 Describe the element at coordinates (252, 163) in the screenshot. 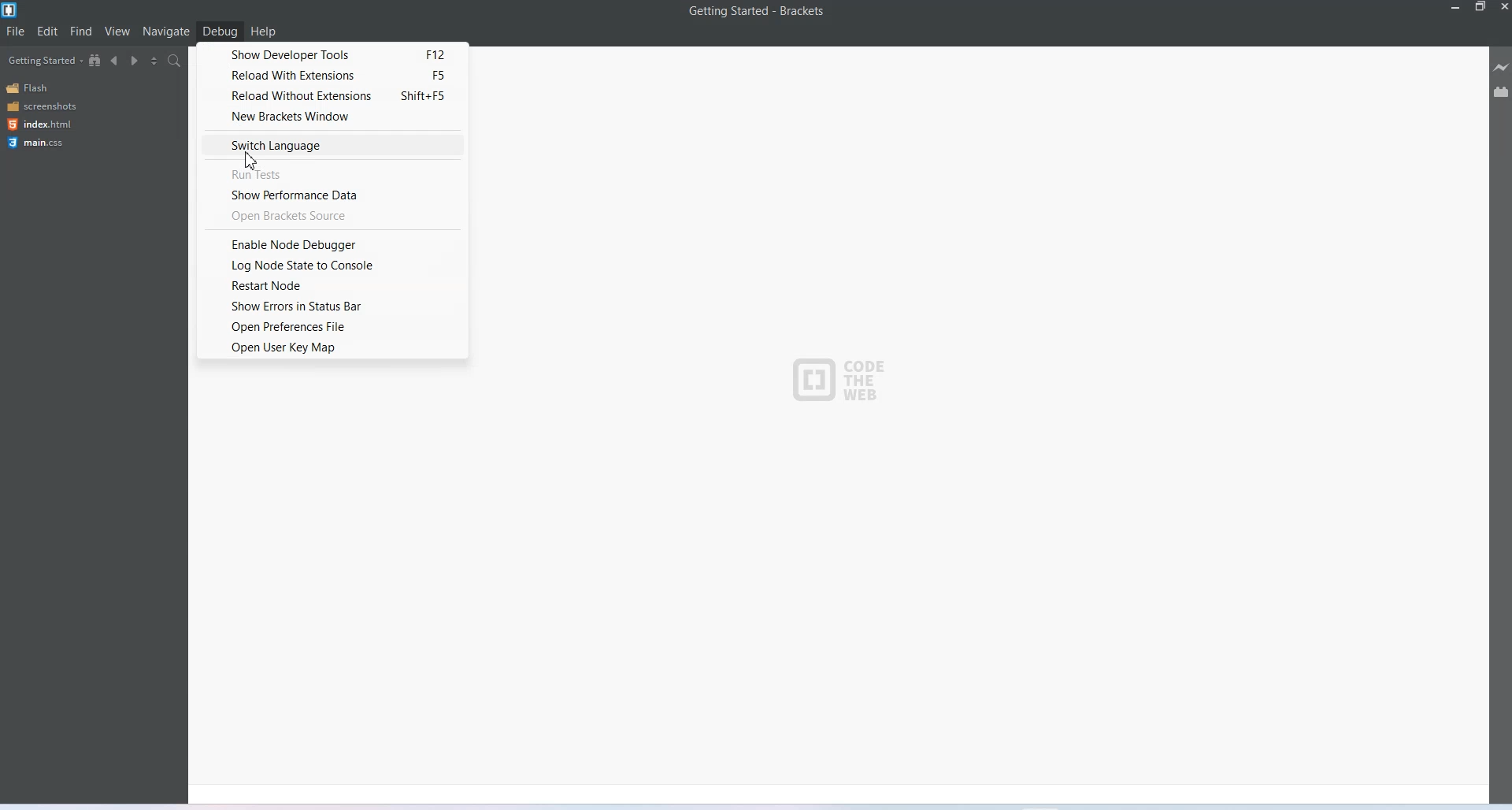

I see `cursor` at that location.